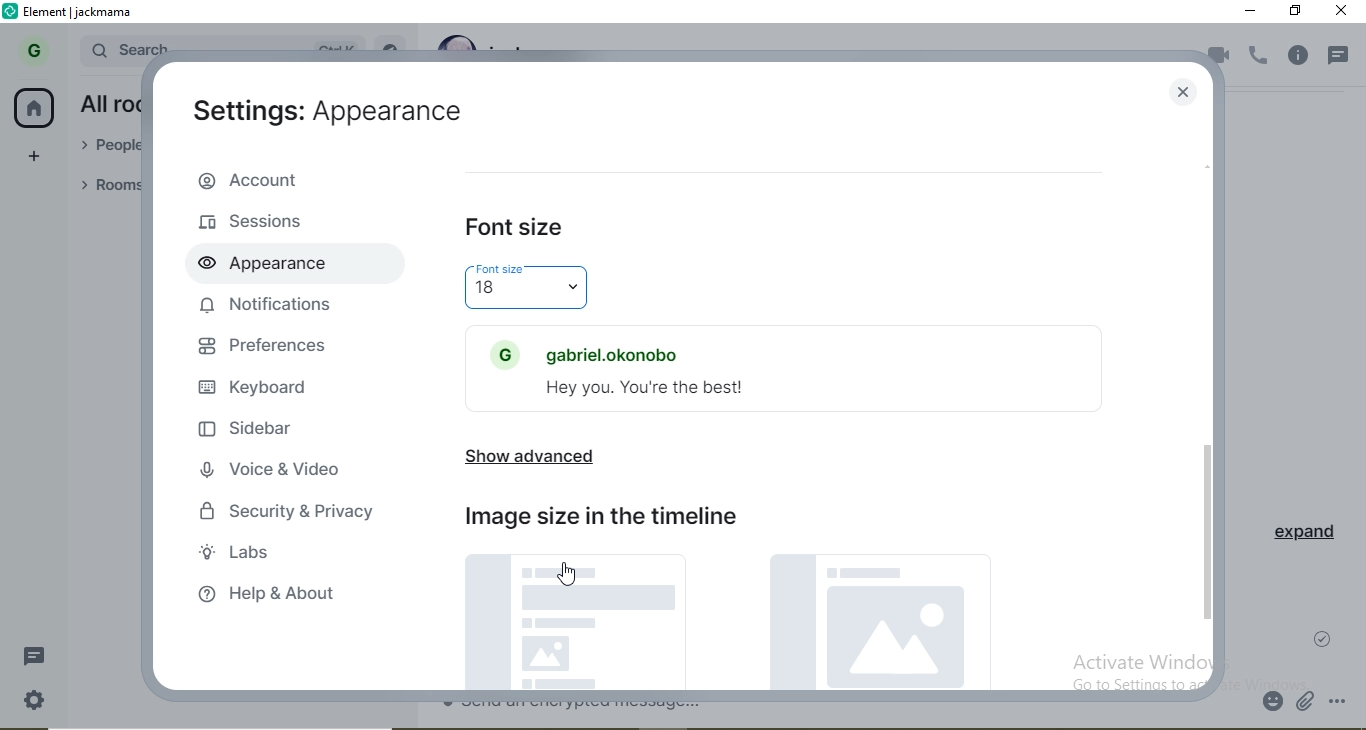 This screenshot has height=730, width=1366. I want to click on expand, so click(1302, 532).